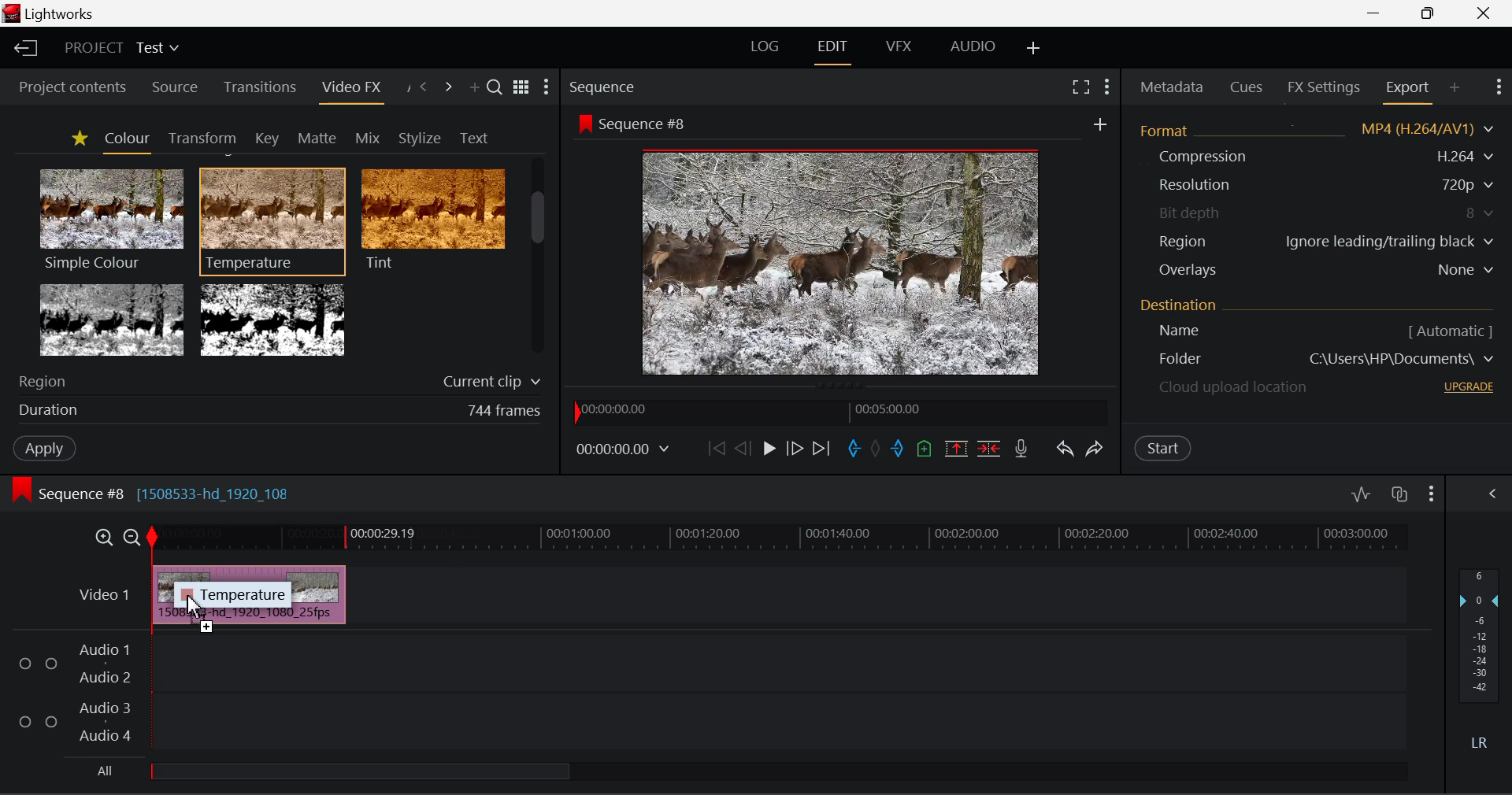  I want to click on Ignore leading/trailing black , so click(1388, 242).